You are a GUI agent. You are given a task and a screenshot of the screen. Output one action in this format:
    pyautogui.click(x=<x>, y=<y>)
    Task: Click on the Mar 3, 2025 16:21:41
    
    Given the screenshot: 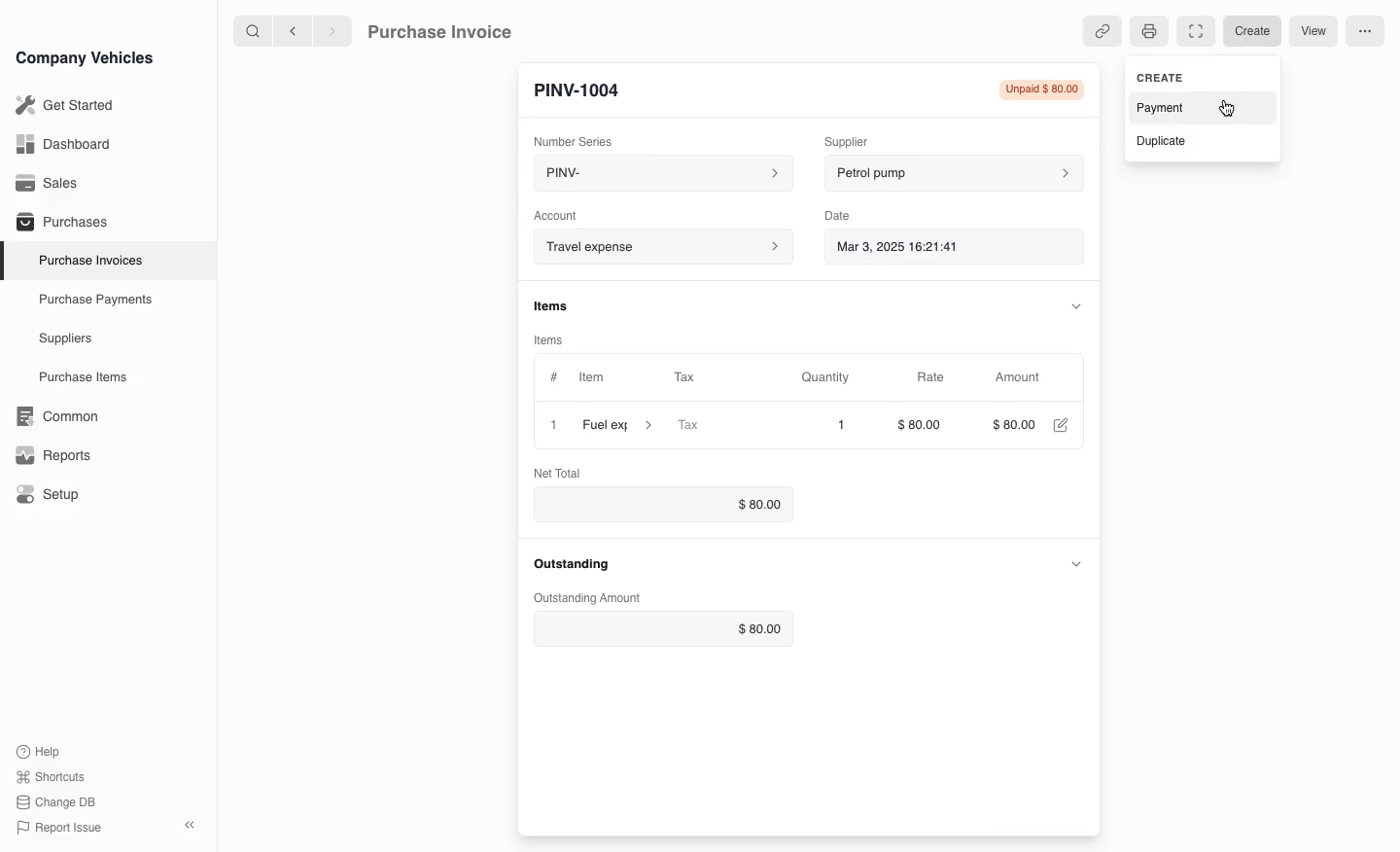 What is the action you would take?
    pyautogui.click(x=935, y=248)
    